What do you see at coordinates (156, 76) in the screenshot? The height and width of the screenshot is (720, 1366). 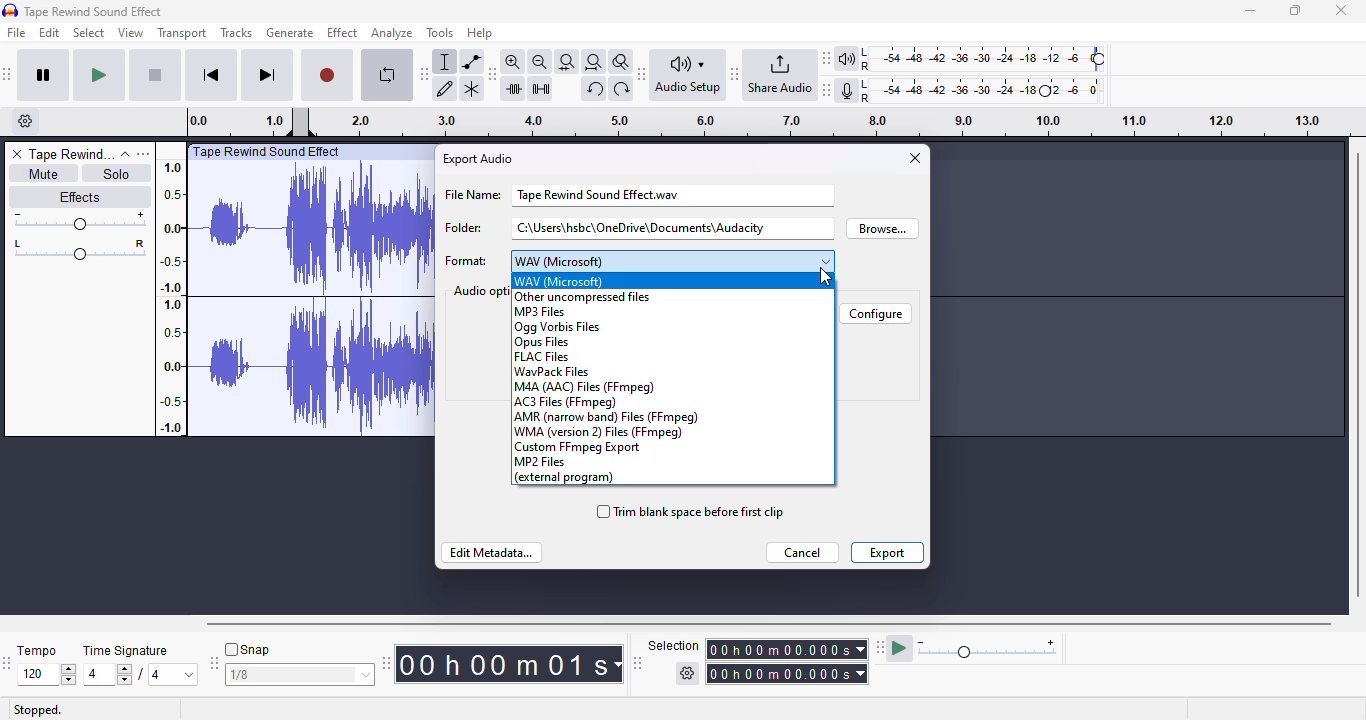 I see `stop` at bounding box center [156, 76].